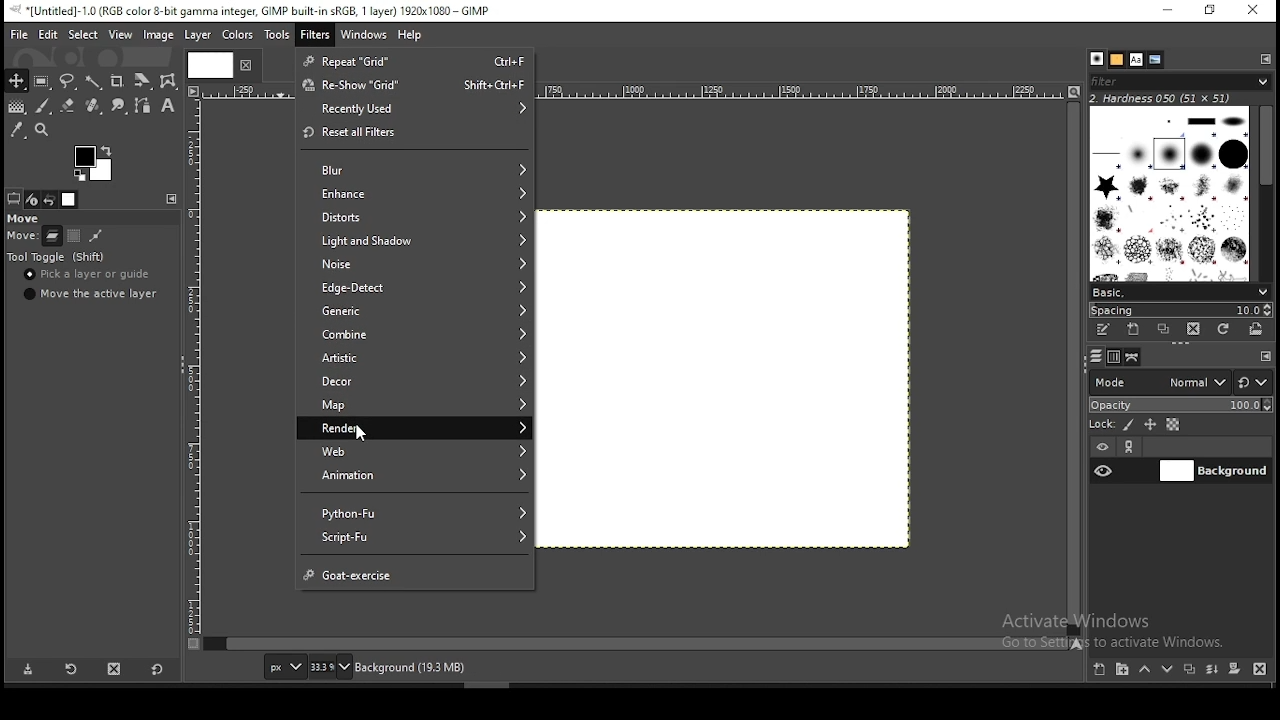 The height and width of the screenshot is (720, 1280). What do you see at coordinates (48, 35) in the screenshot?
I see `edit` at bounding box center [48, 35].